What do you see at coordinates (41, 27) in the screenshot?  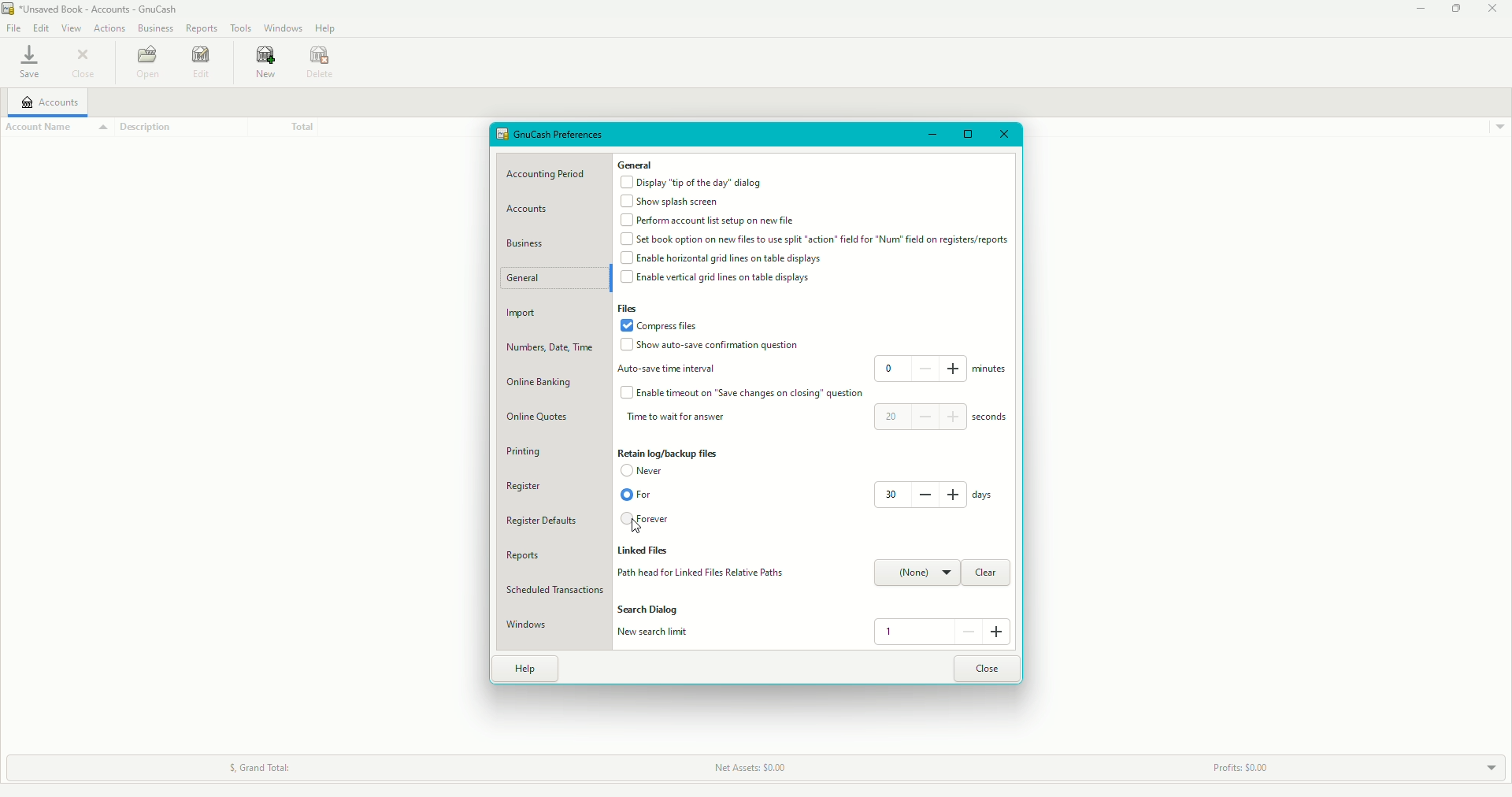 I see `Edit` at bounding box center [41, 27].